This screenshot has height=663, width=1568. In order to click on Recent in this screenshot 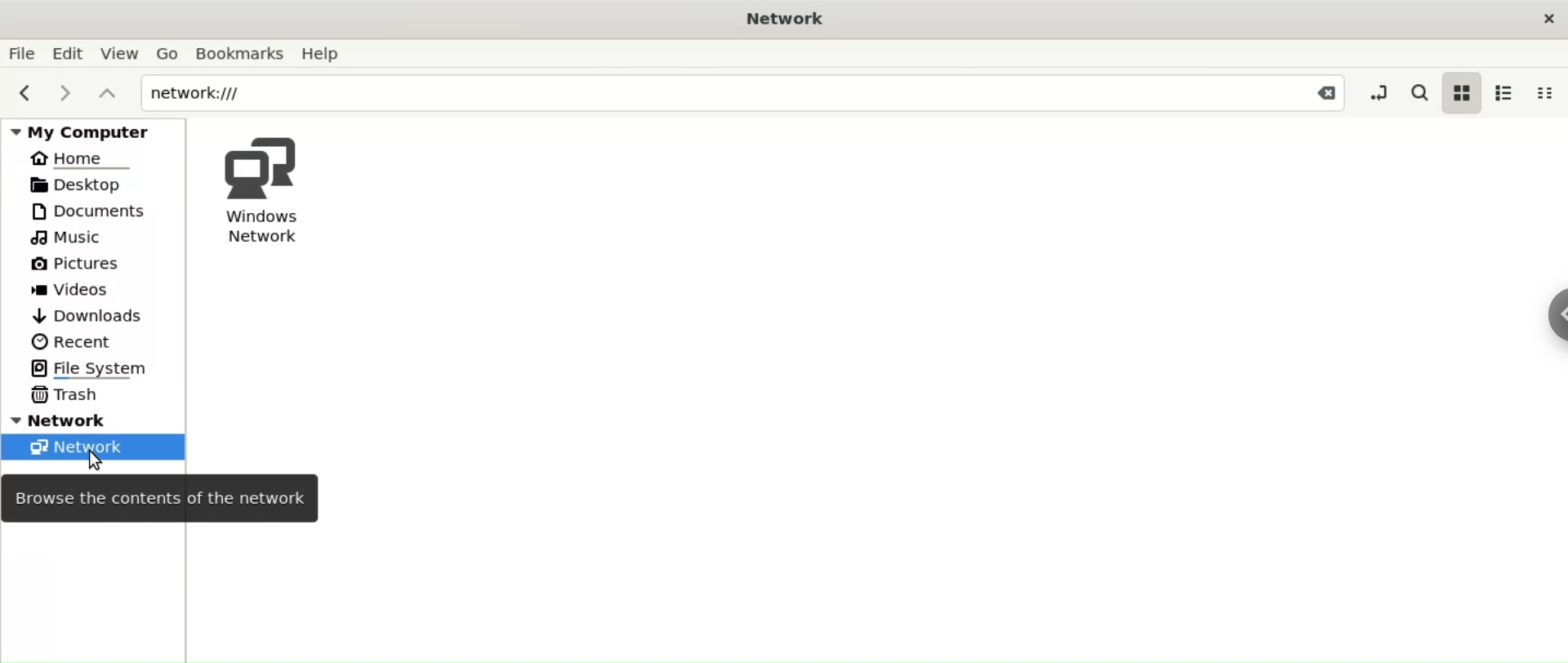, I will do `click(75, 342)`.